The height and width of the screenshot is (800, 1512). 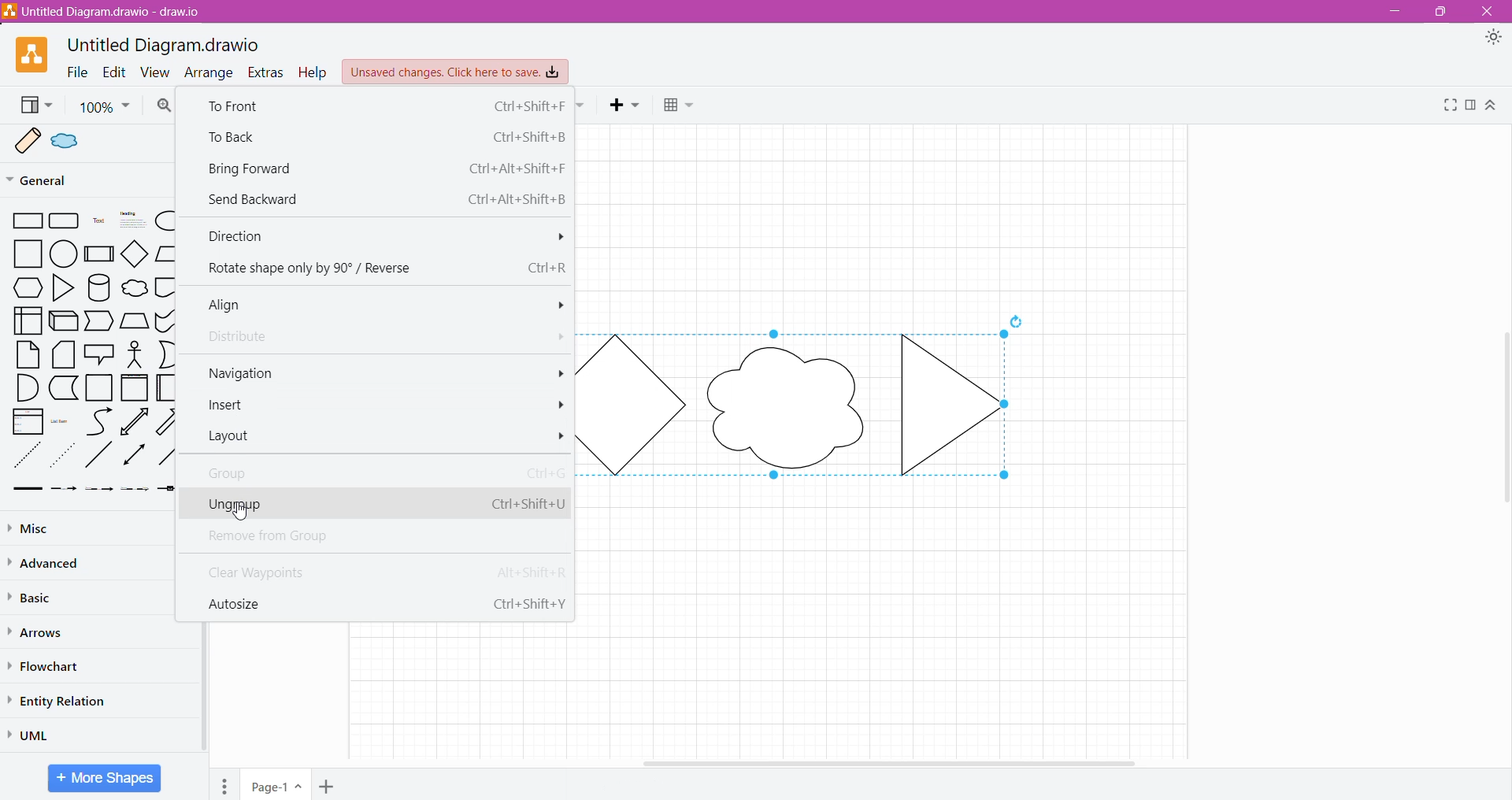 What do you see at coordinates (891, 761) in the screenshot?
I see `Horizontal Scroll Bar` at bounding box center [891, 761].